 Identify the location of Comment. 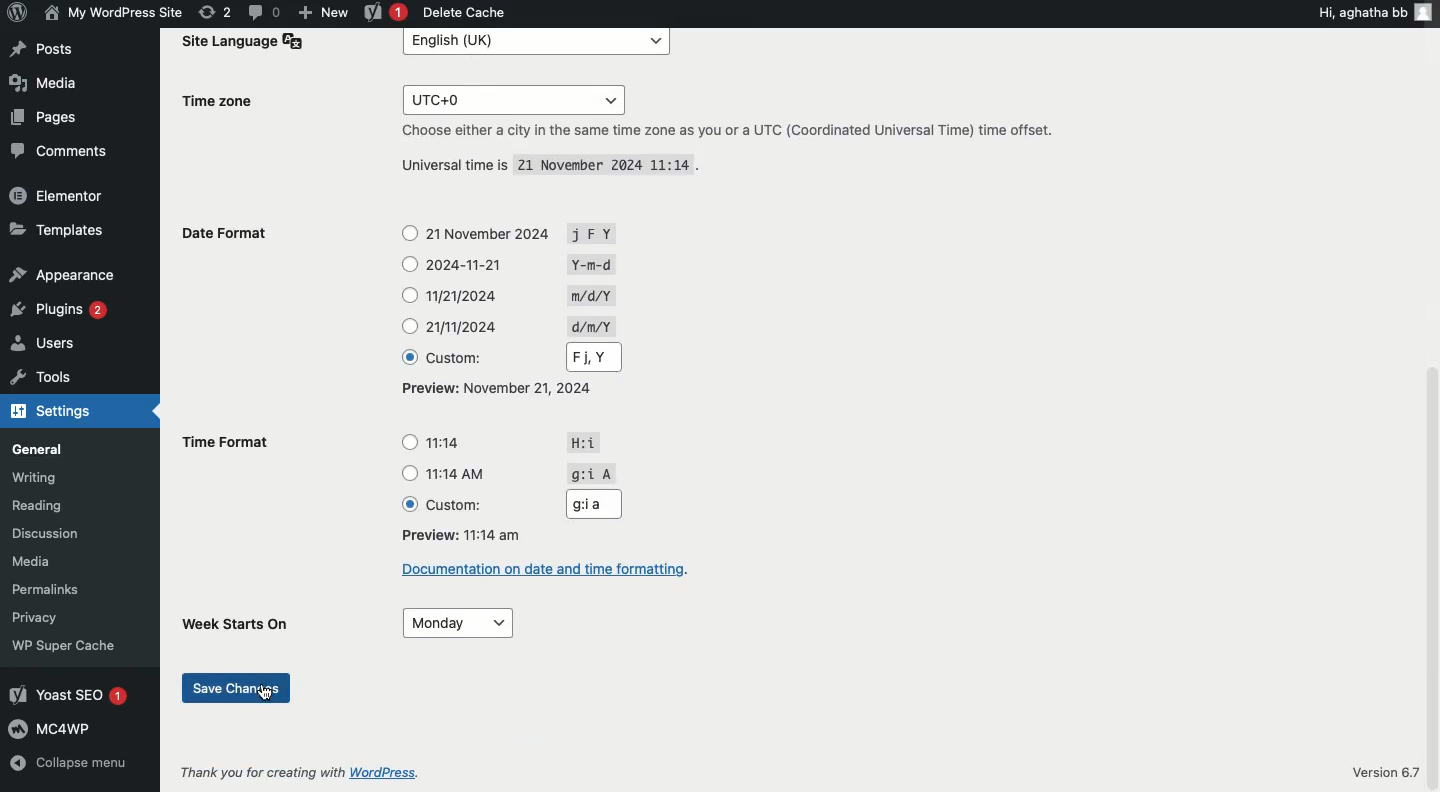
(266, 12).